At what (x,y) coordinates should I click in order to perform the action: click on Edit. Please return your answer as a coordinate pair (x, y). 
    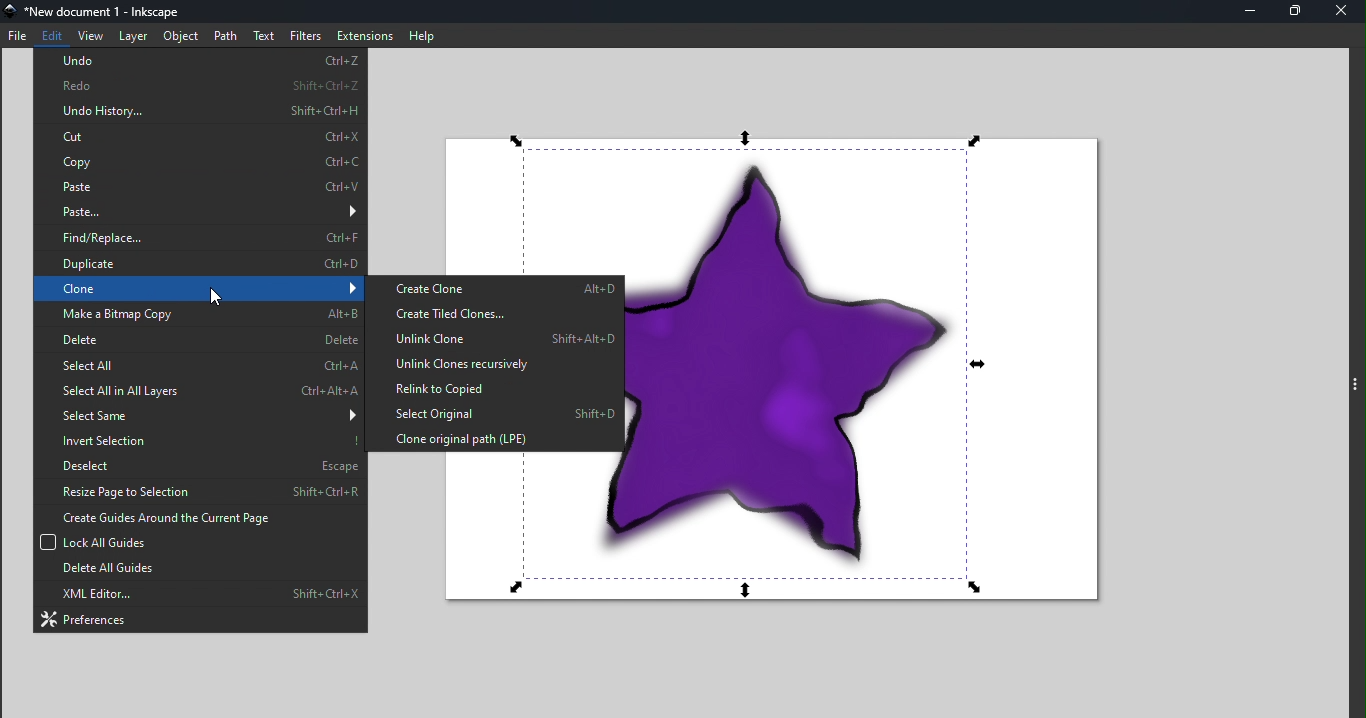
    Looking at the image, I should click on (52, 35).